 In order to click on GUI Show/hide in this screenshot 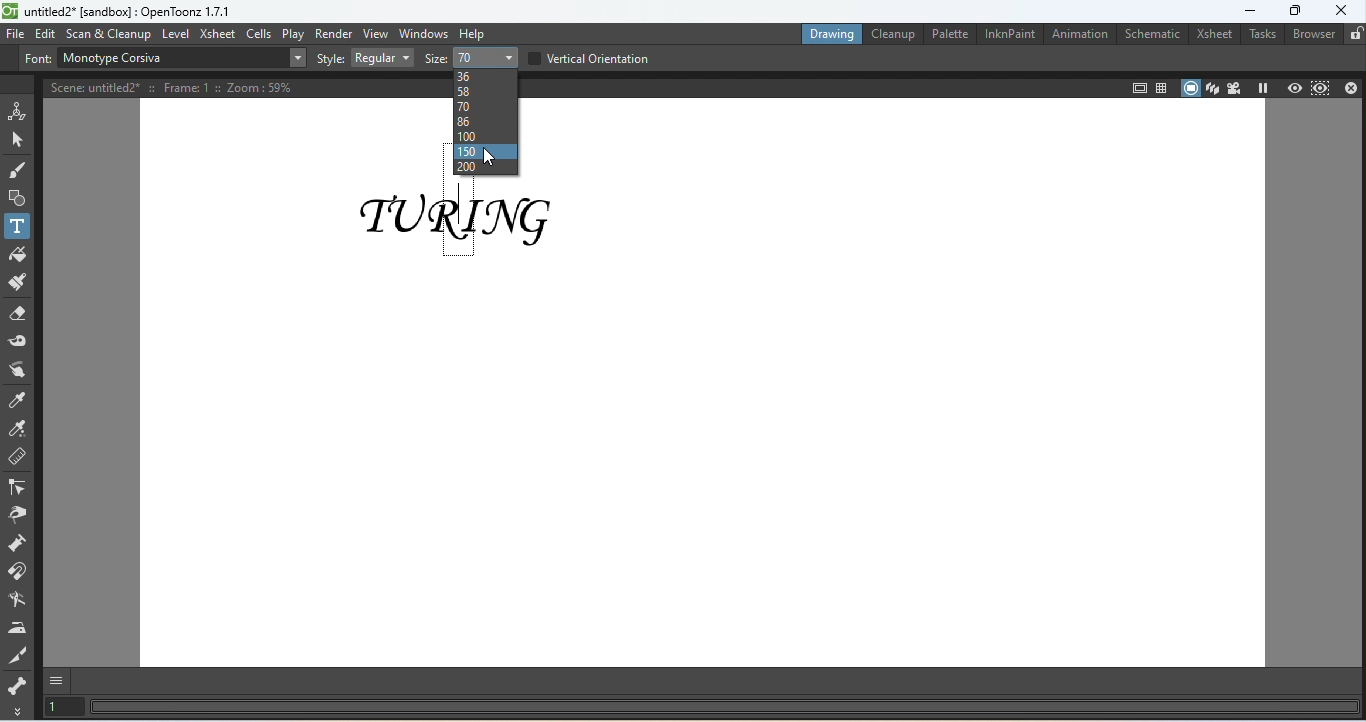, I will do `click(61, 682)`.